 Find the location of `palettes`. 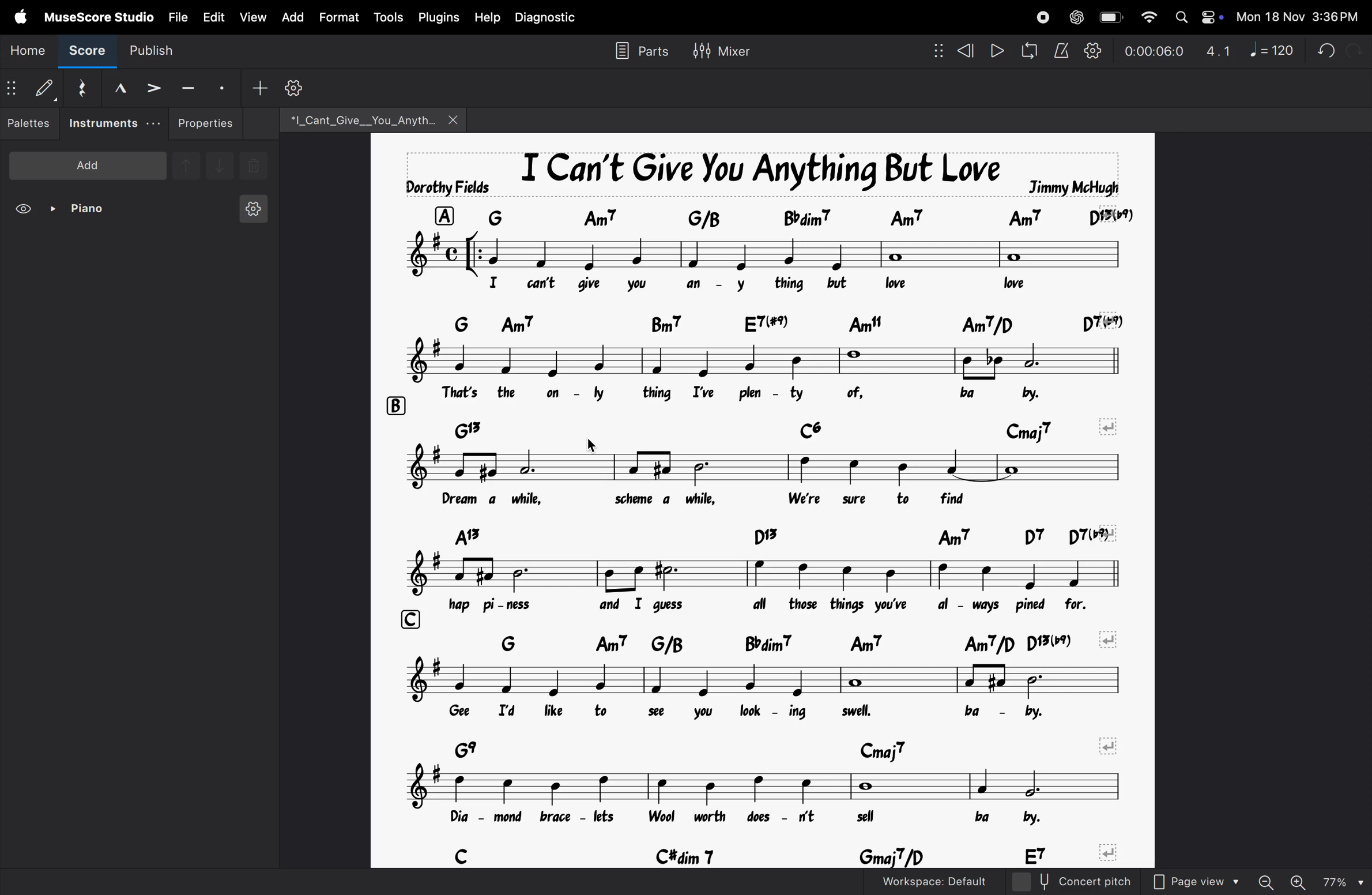

palettes is located at coordinates (31, 123).